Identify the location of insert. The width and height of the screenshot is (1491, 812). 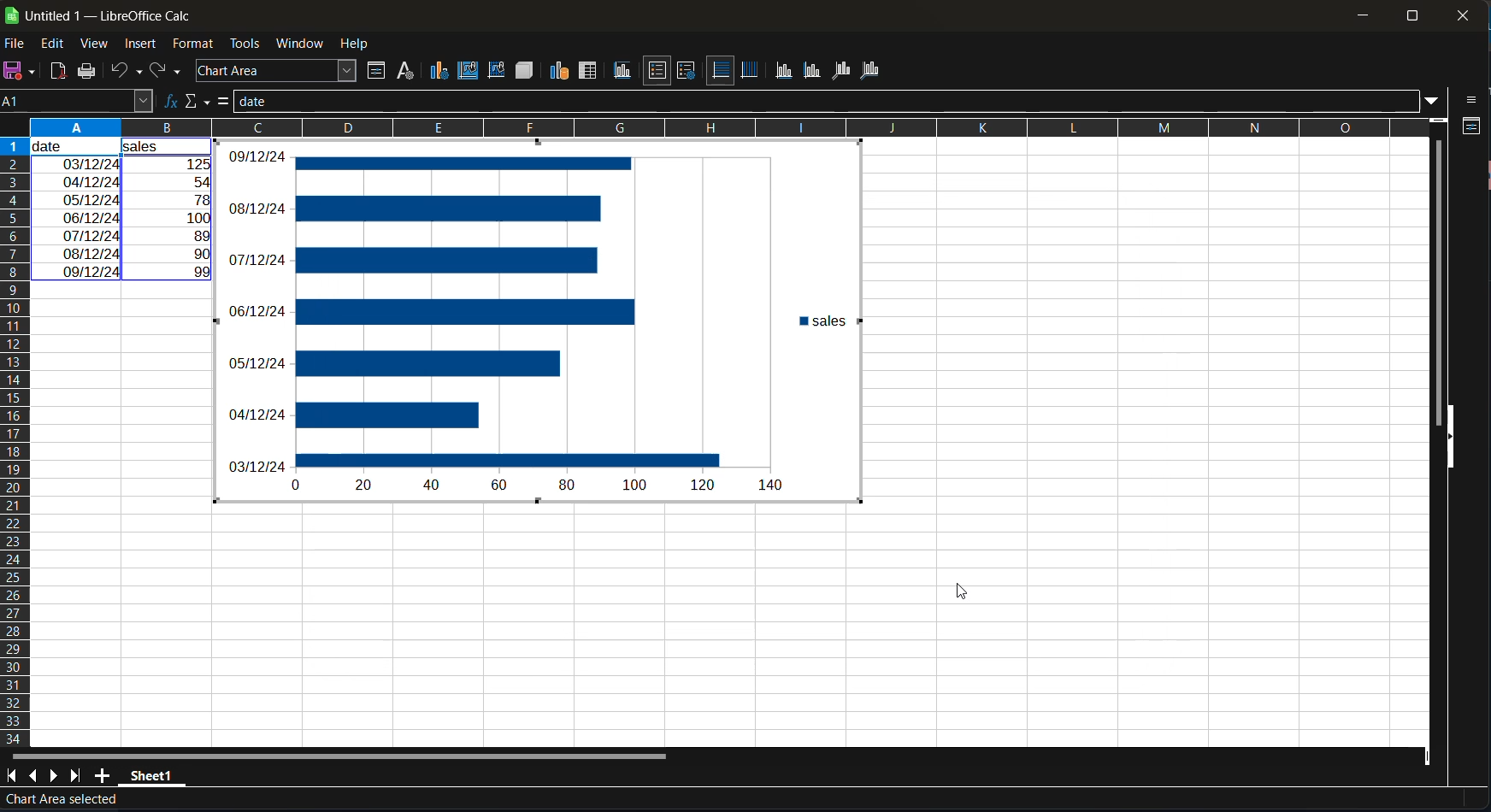
(142, 43).